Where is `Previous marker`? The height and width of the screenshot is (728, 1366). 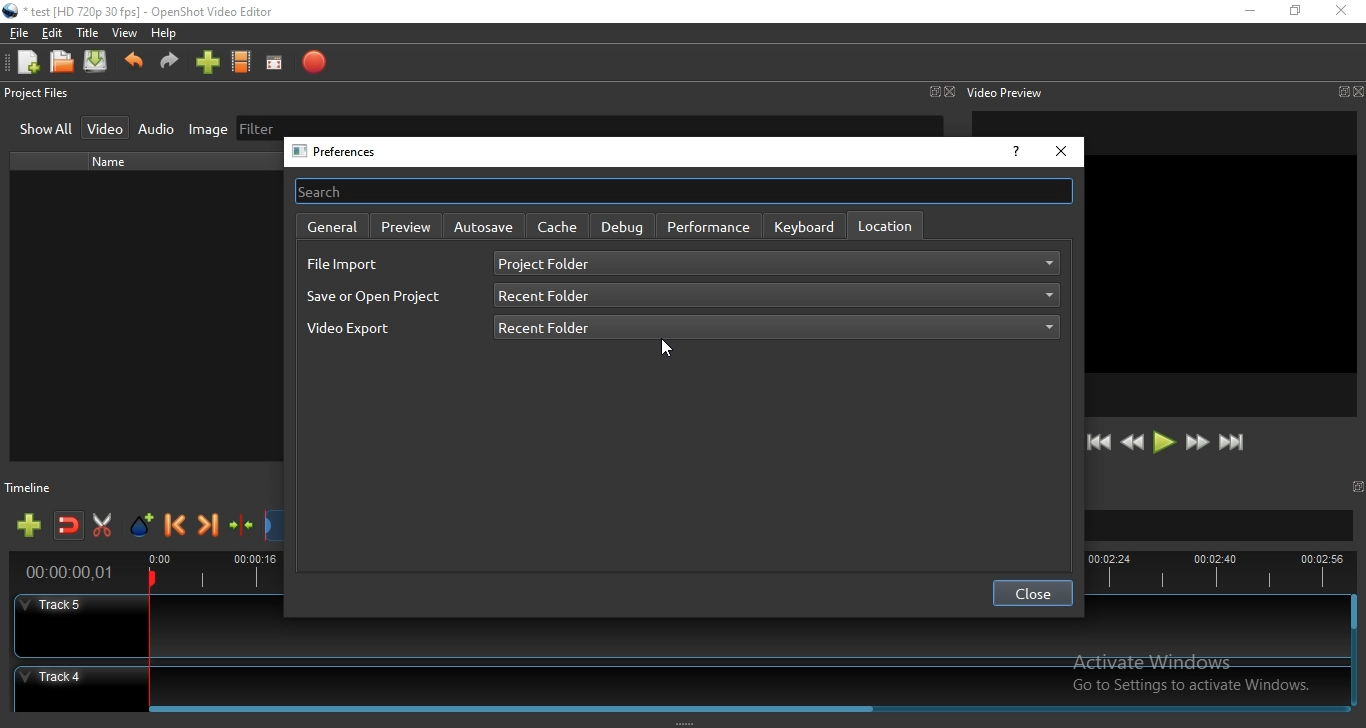
Previous marker is located at coordinates (176, 527).